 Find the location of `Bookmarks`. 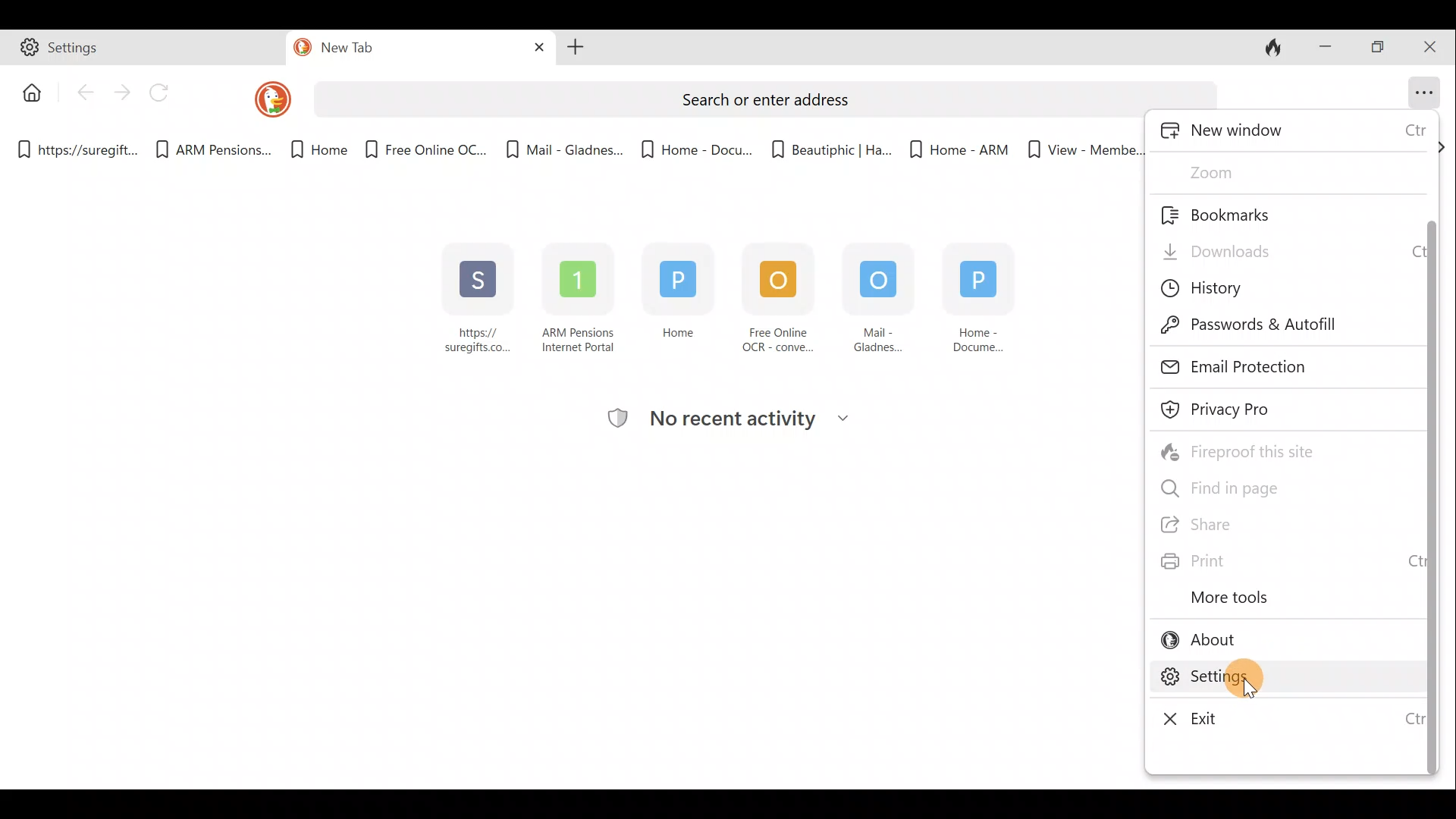

Bookmarks is located at coordinates (1222, 212).